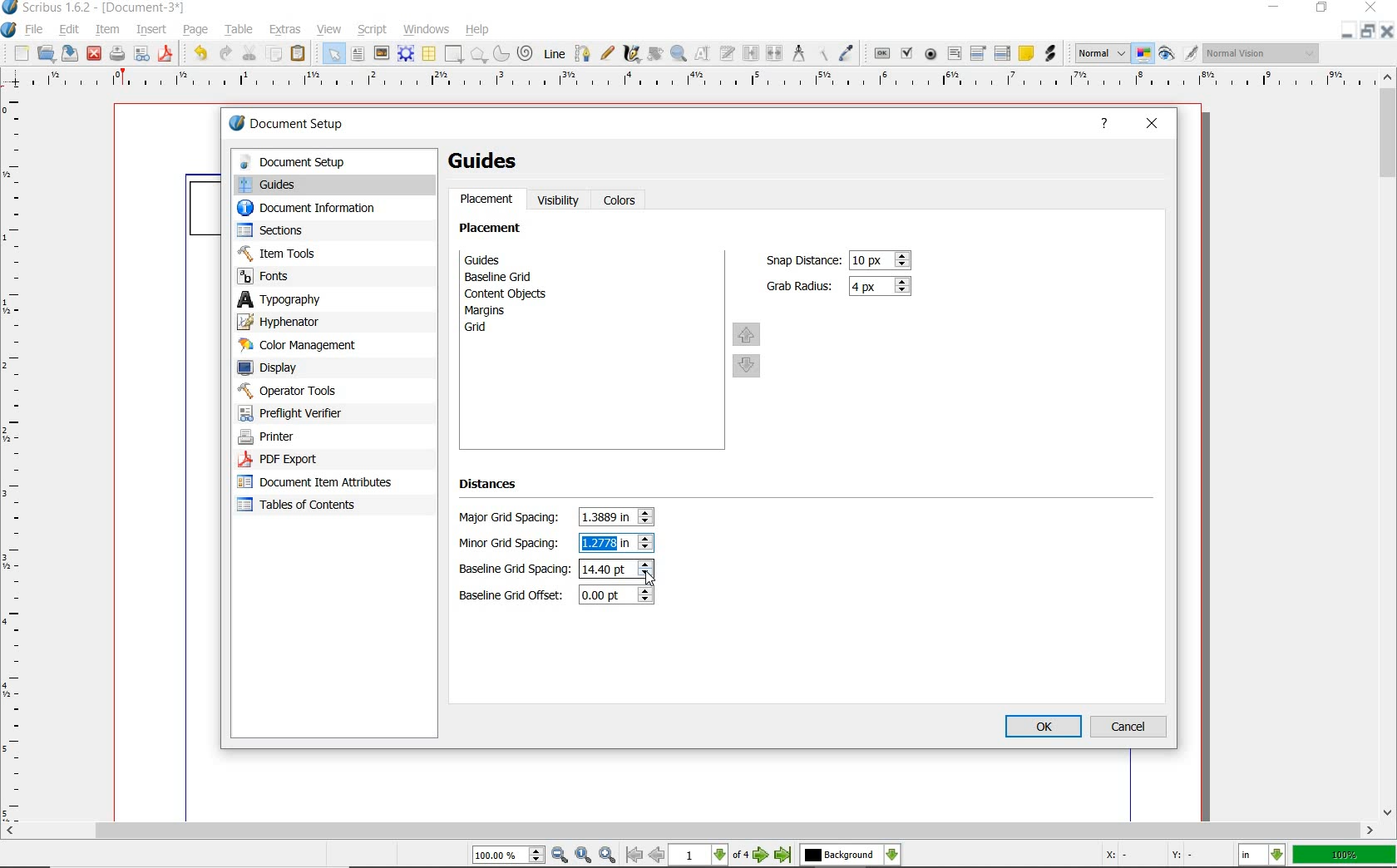 The width and height of the screenshot is (1397, 868). I want to click on document setup, so click(305, 126).